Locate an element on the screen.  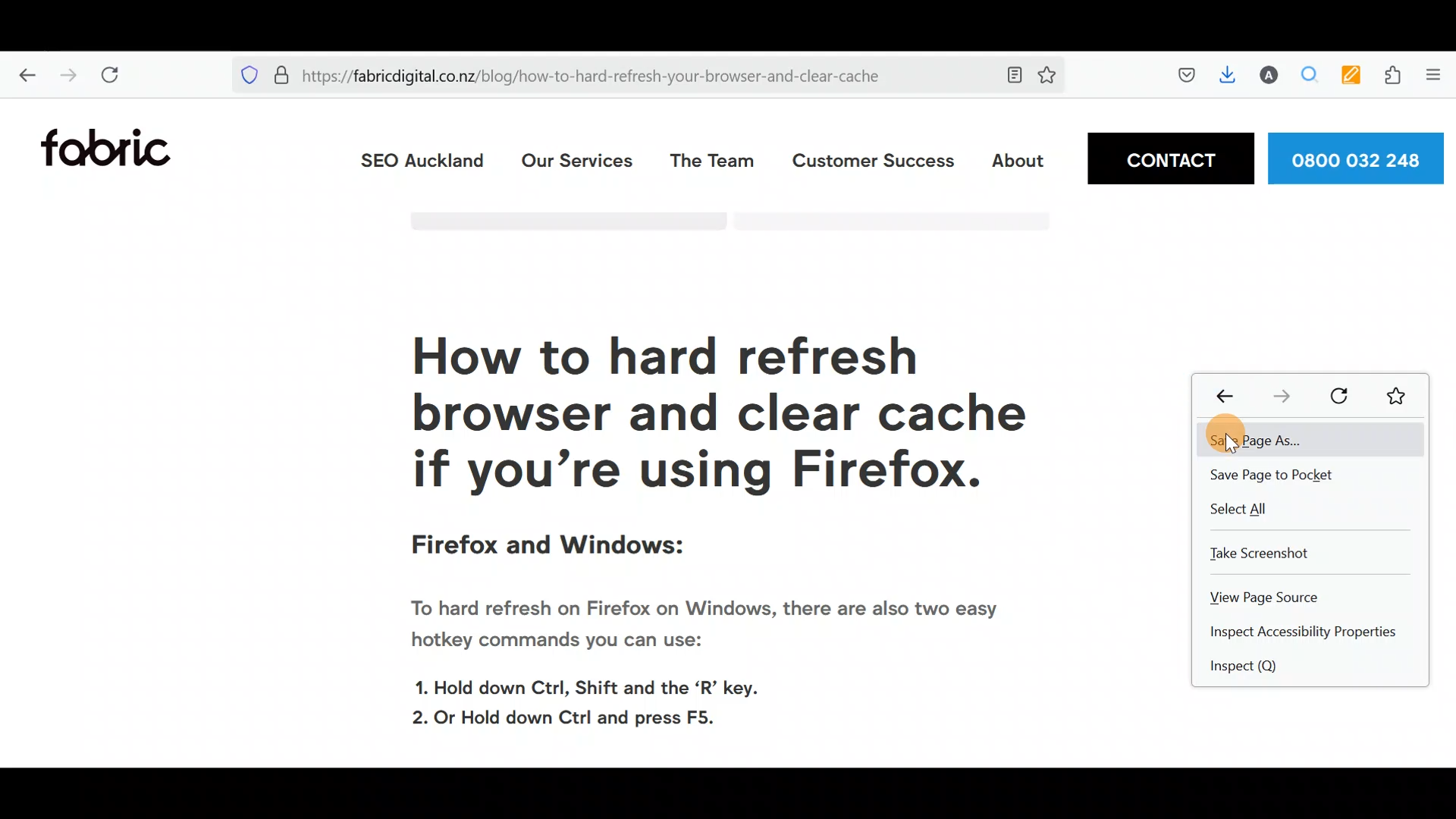
https://fabricdigital.co.nz/blog/how-to-hard-refresh-your-browser-and-clear-cache is located at coordinates (601, 76).